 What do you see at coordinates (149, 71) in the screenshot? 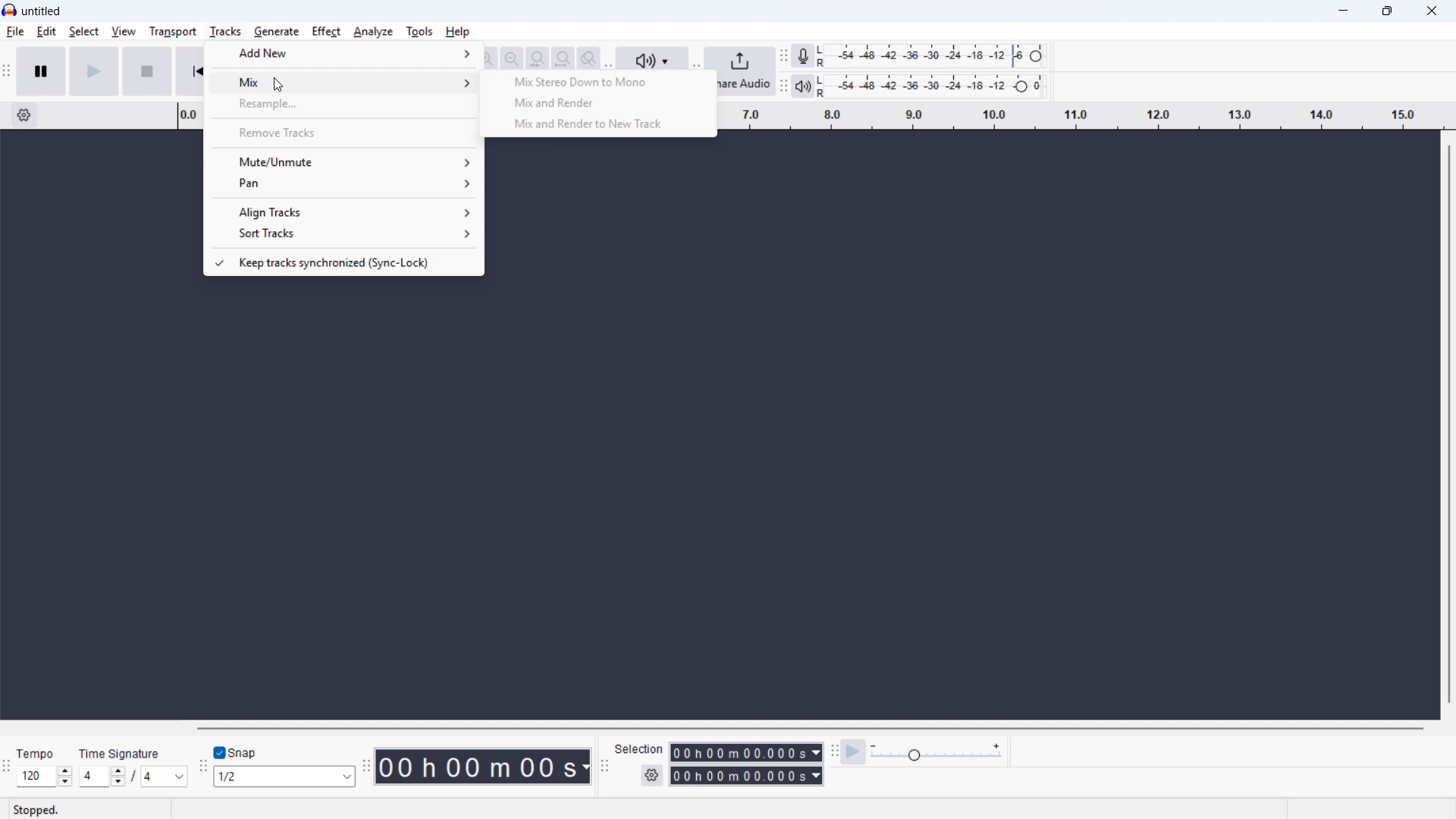
I see `Stop ` at bounding box center [149, 71].